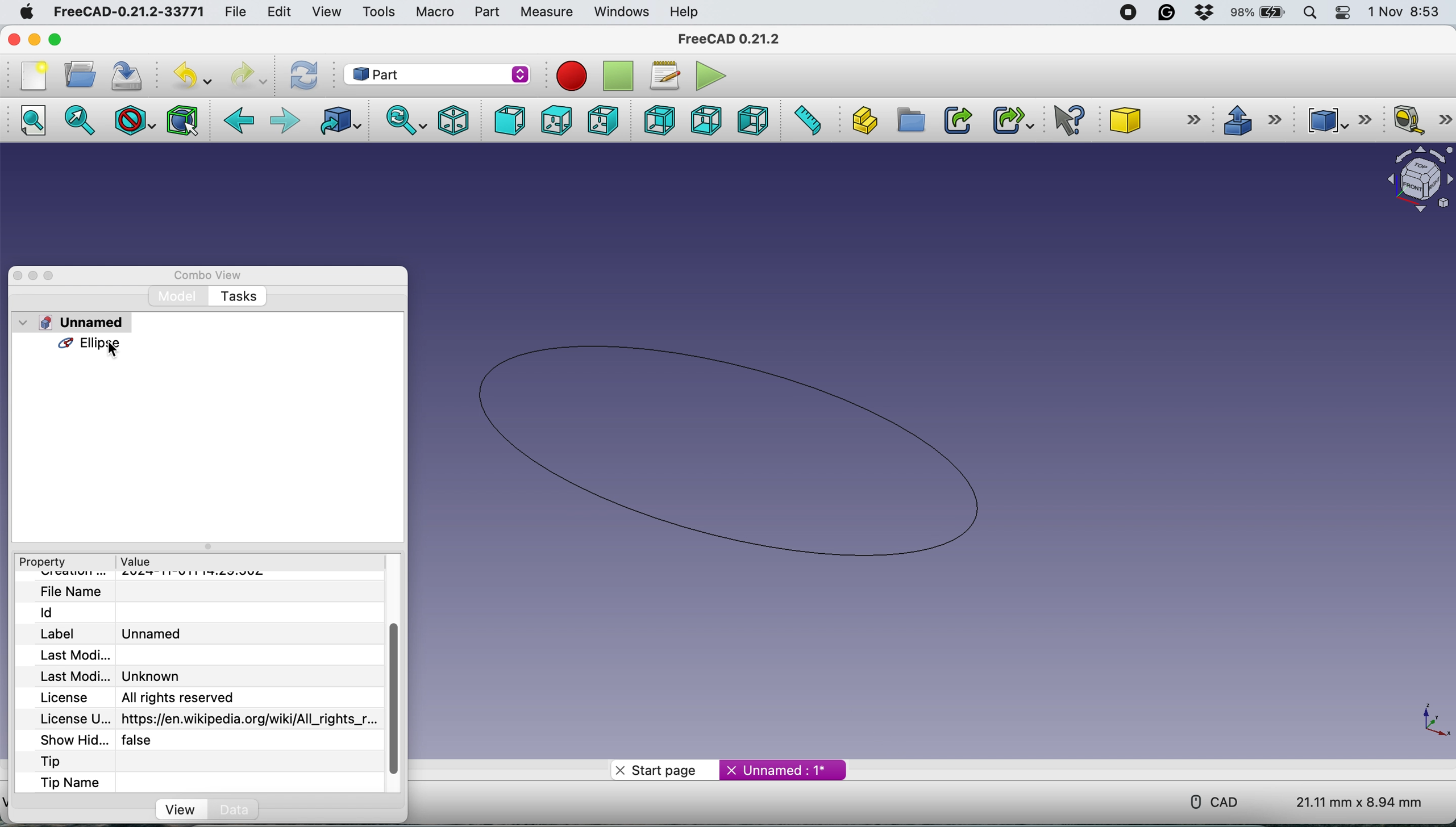 The image size is (1456, 827). Describe the element at coordinates (434, 12) in the screenshot. I see `macro` at that location.